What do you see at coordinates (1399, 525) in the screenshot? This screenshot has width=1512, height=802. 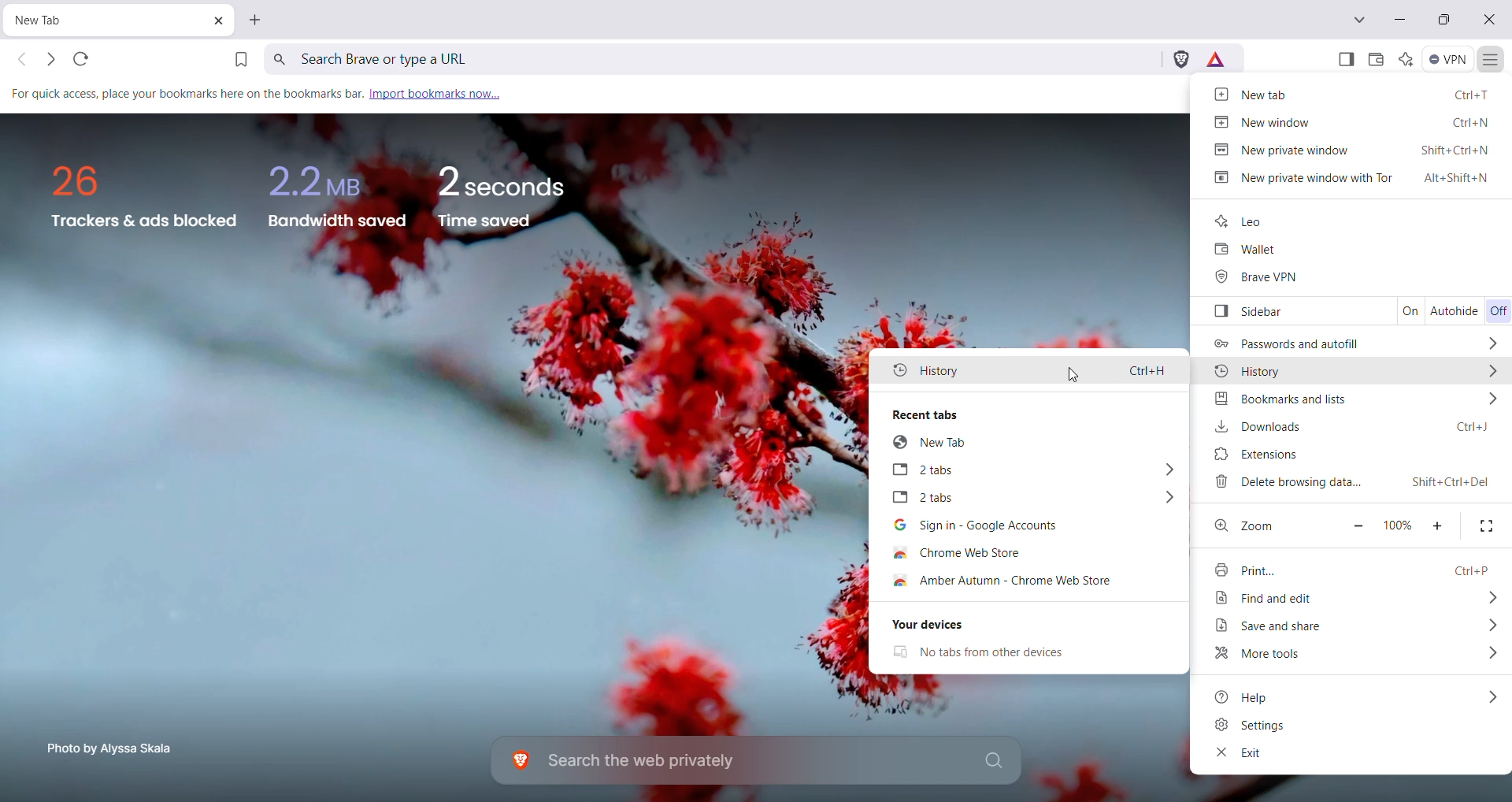 I see `100%` at bounding box center [1399, 525].